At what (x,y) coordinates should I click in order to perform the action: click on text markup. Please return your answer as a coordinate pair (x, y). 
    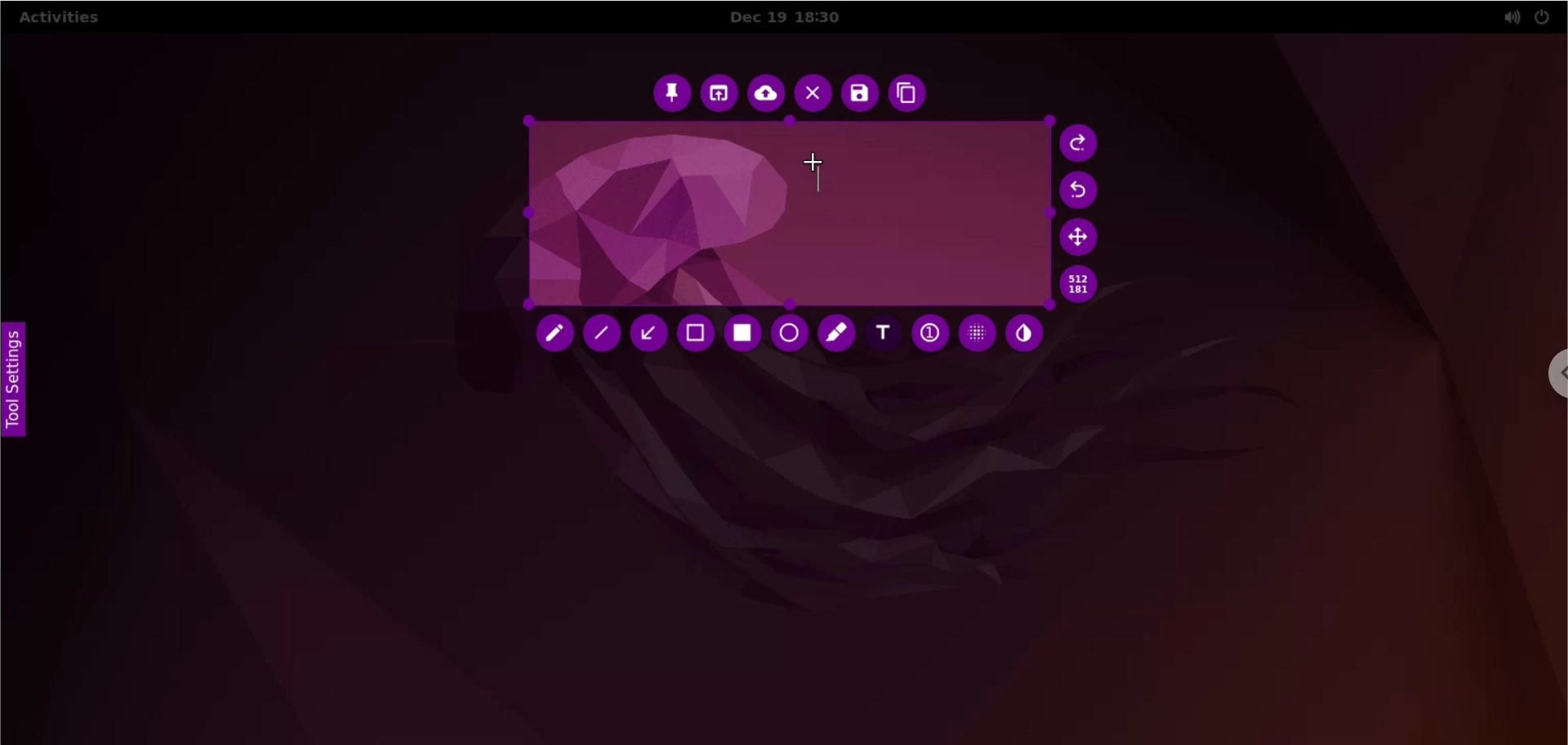
    Looking at the image, I should click on (820, 181).